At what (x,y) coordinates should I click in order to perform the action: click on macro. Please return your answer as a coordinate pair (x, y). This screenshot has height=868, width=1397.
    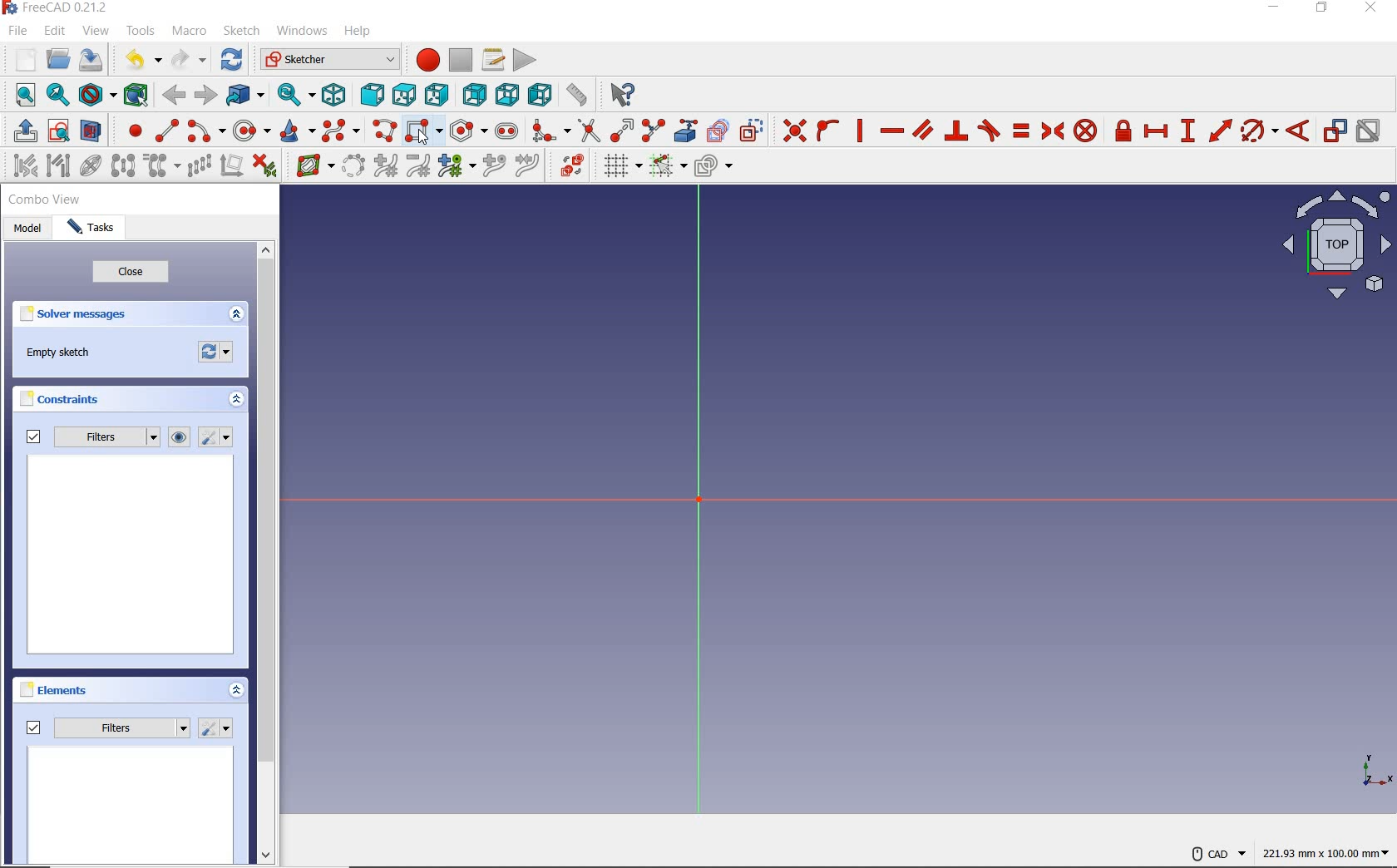
    Looking at the image, I should click on (190, 32).